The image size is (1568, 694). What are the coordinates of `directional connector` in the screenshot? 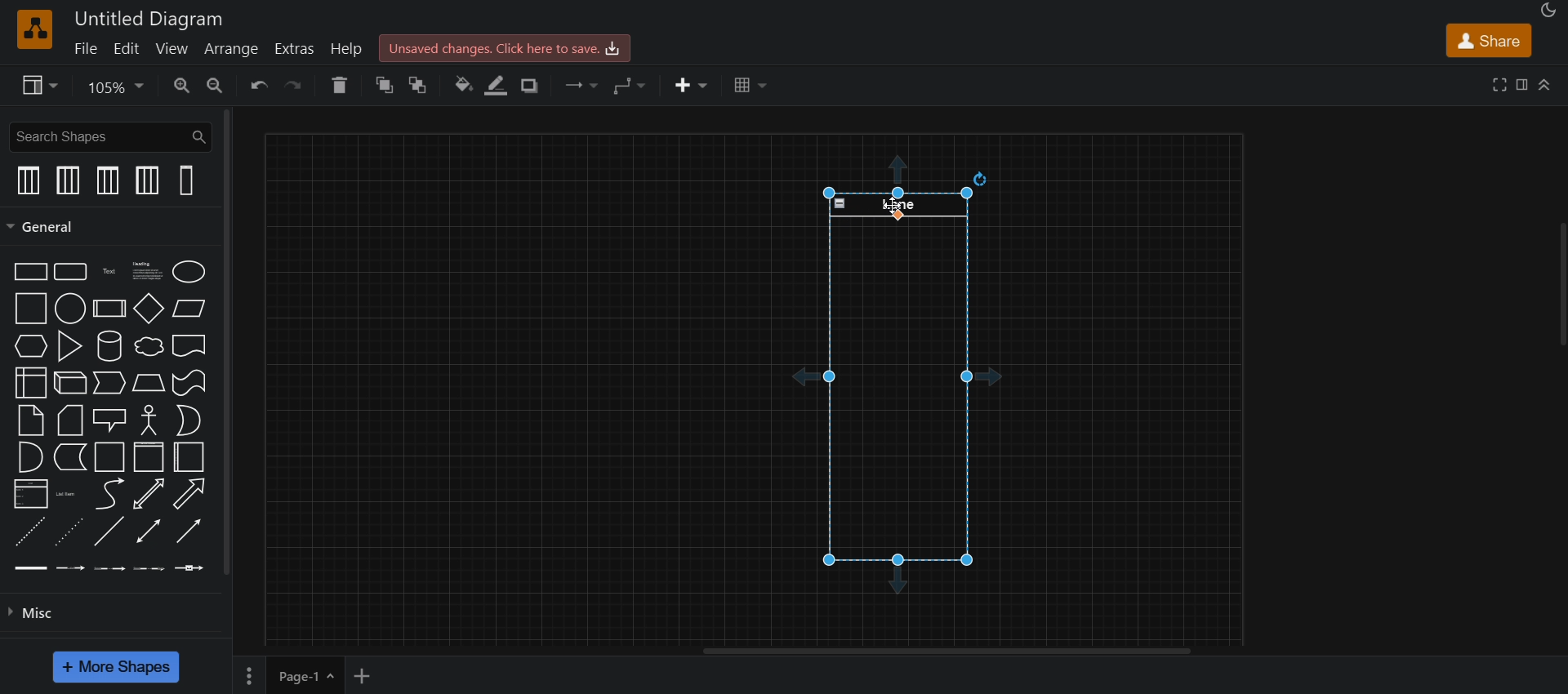 It's located at (192, 535).